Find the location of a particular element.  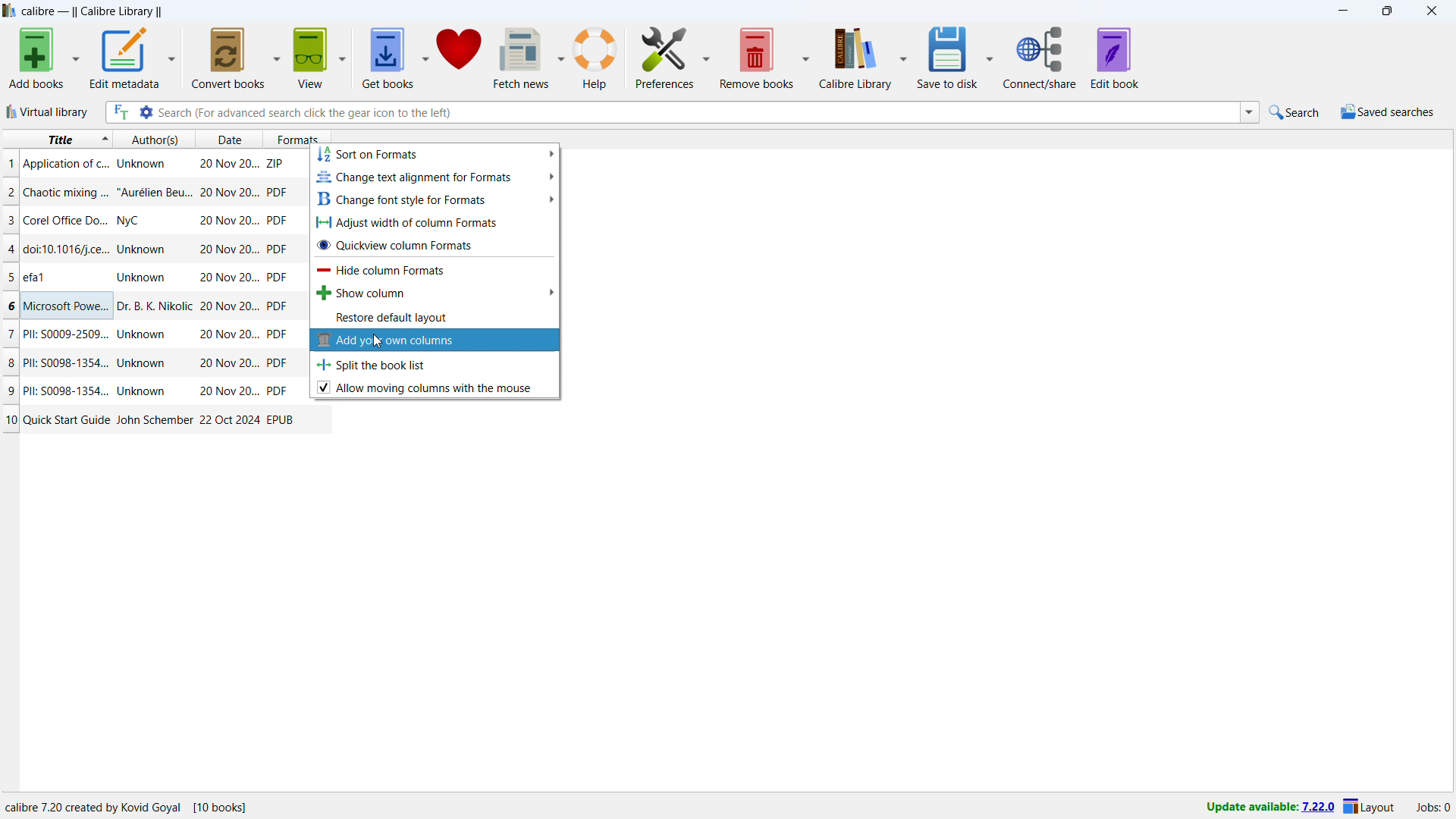

author is located at coordinates (136, 220).